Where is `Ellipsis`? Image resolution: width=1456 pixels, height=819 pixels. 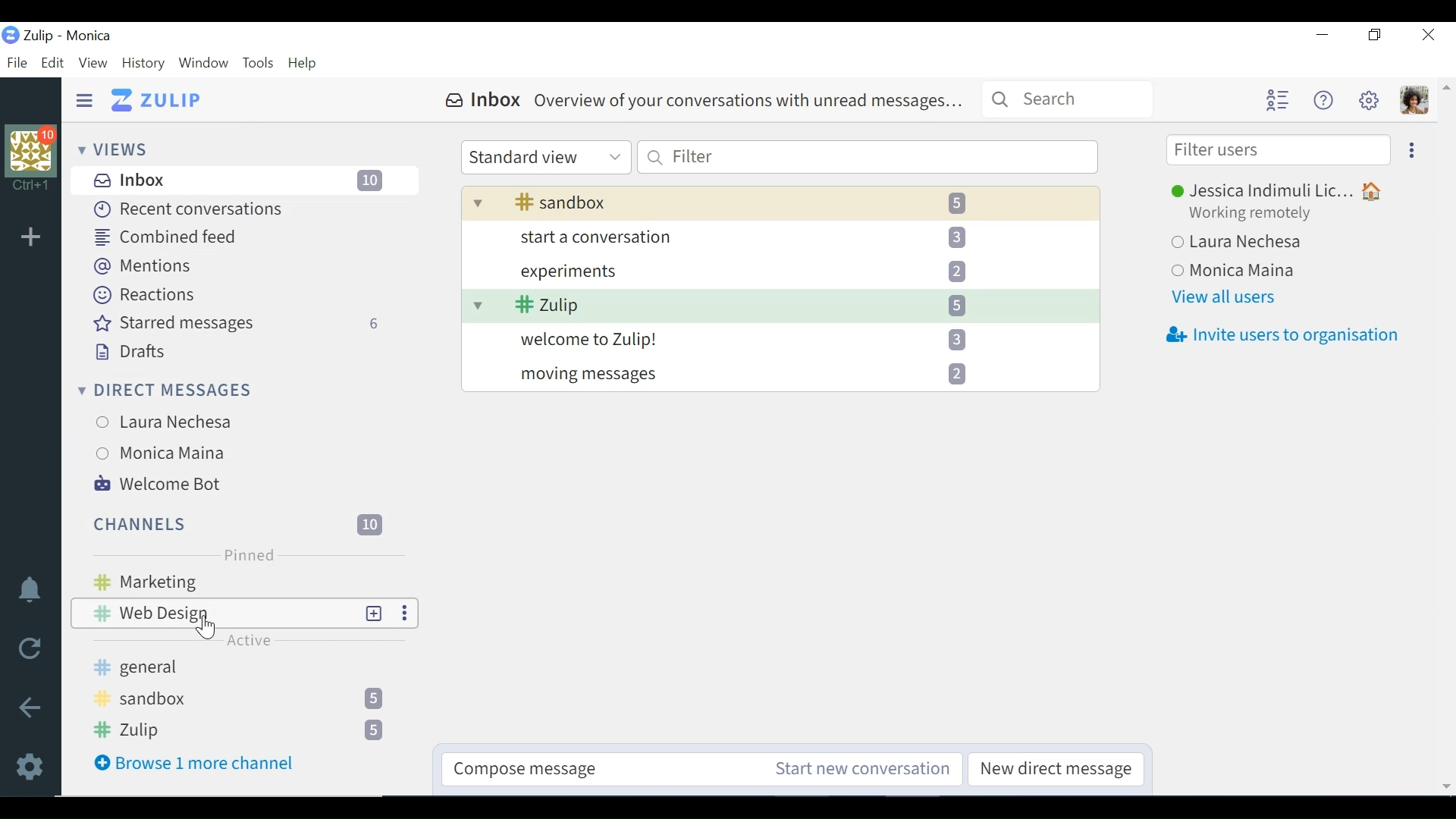 Ellipsis is located at coordinates (402, 613).